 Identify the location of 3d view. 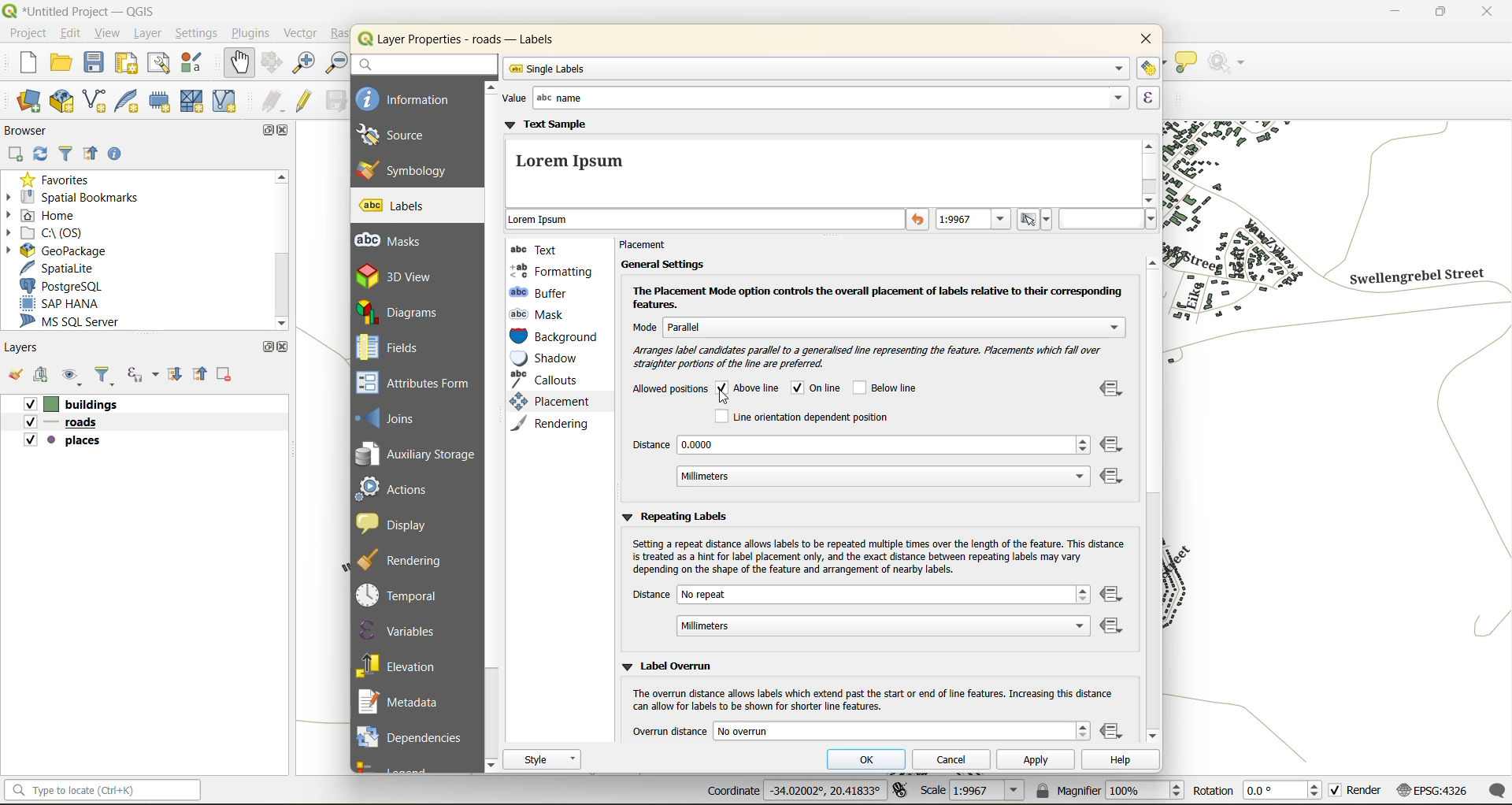
(408, 276).